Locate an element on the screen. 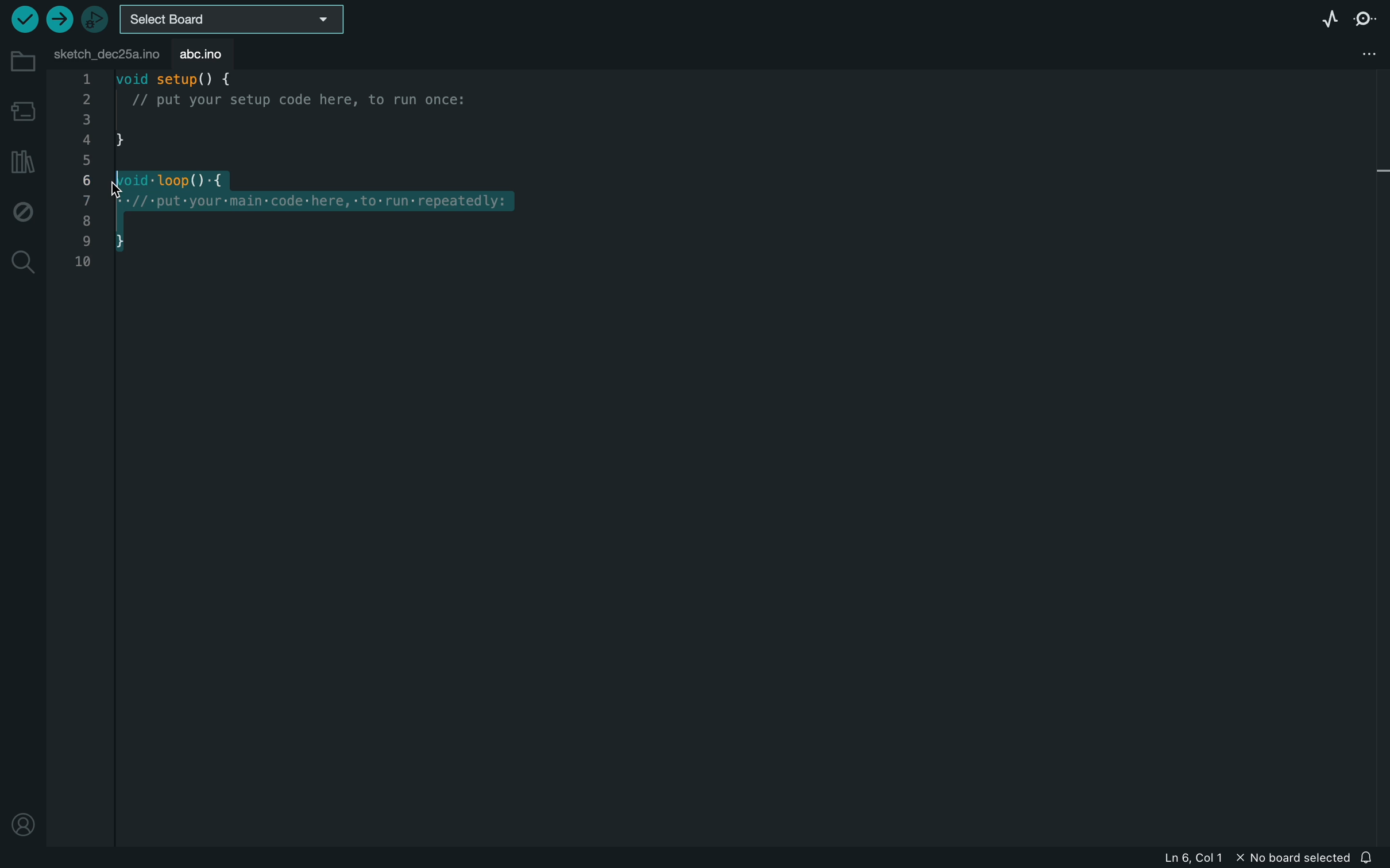  cursor is located at coordinates (137, 181).